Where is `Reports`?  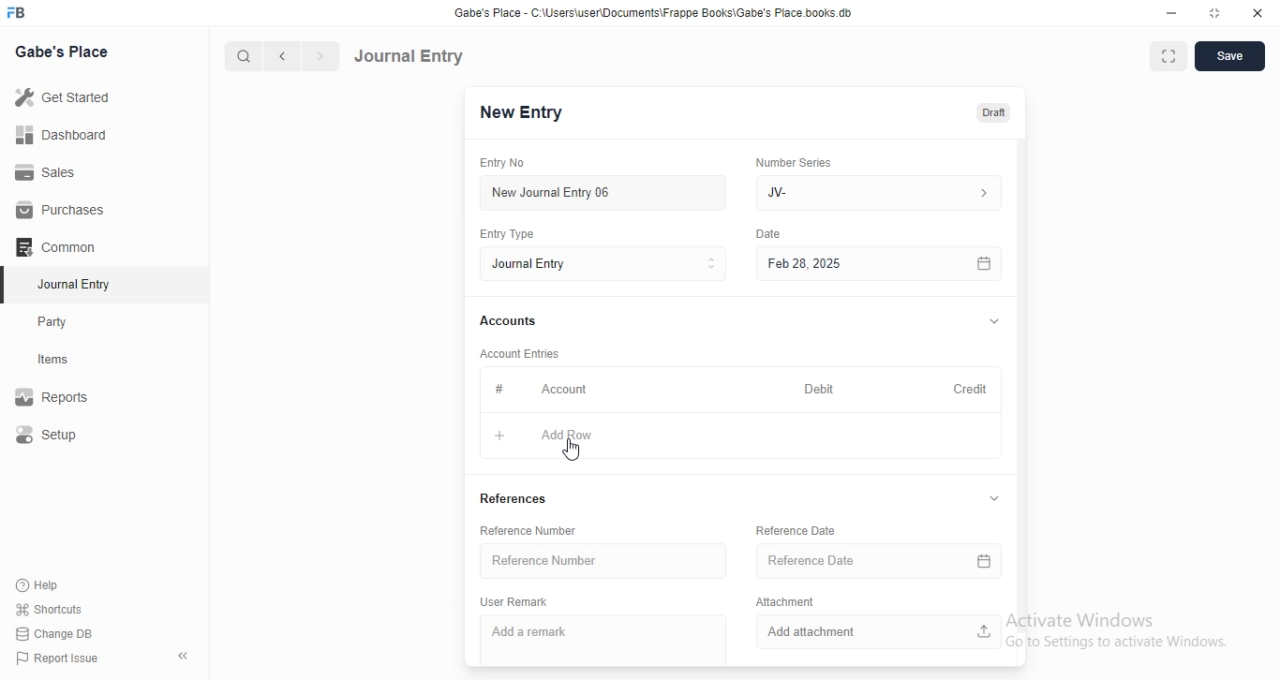
Reports is located at coordinates (65, 399).